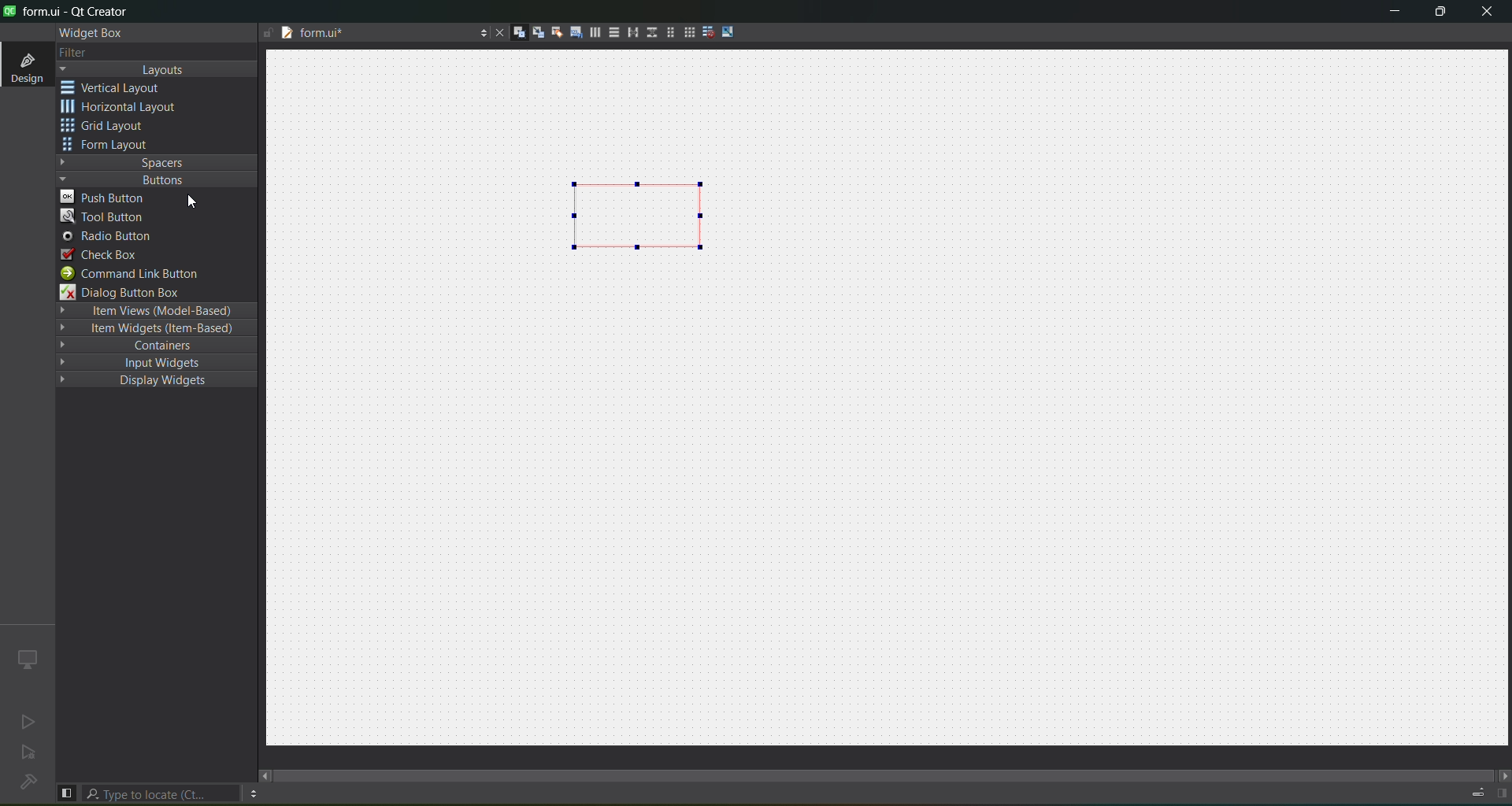  What do you see at coordinates (72, 52) in the screenshot?
I see `filter` at bounding box center [72, 52].